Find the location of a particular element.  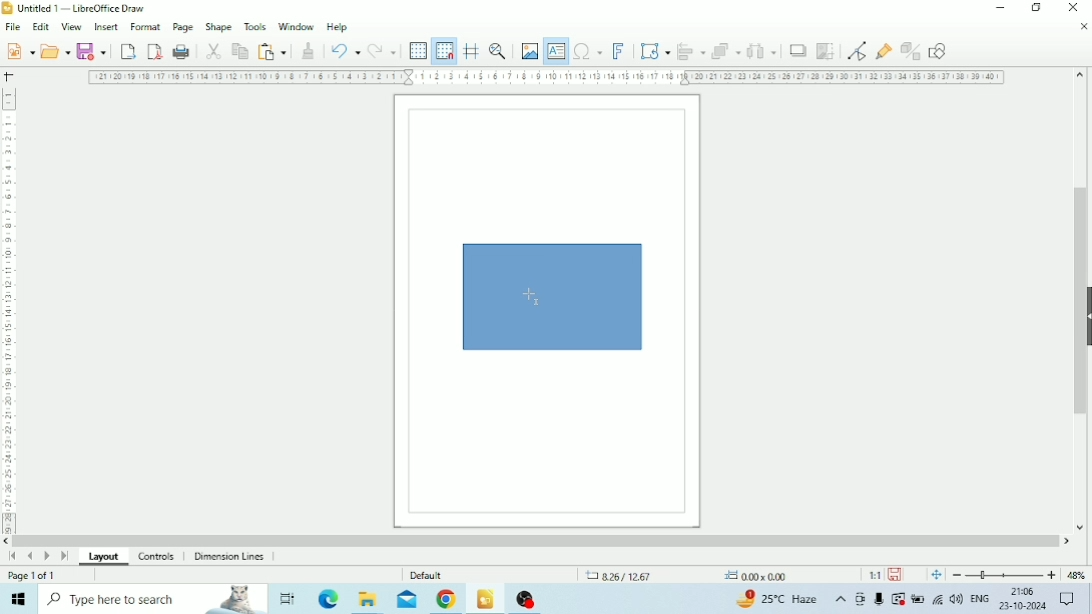

undo is located at coordinates (345, 51).